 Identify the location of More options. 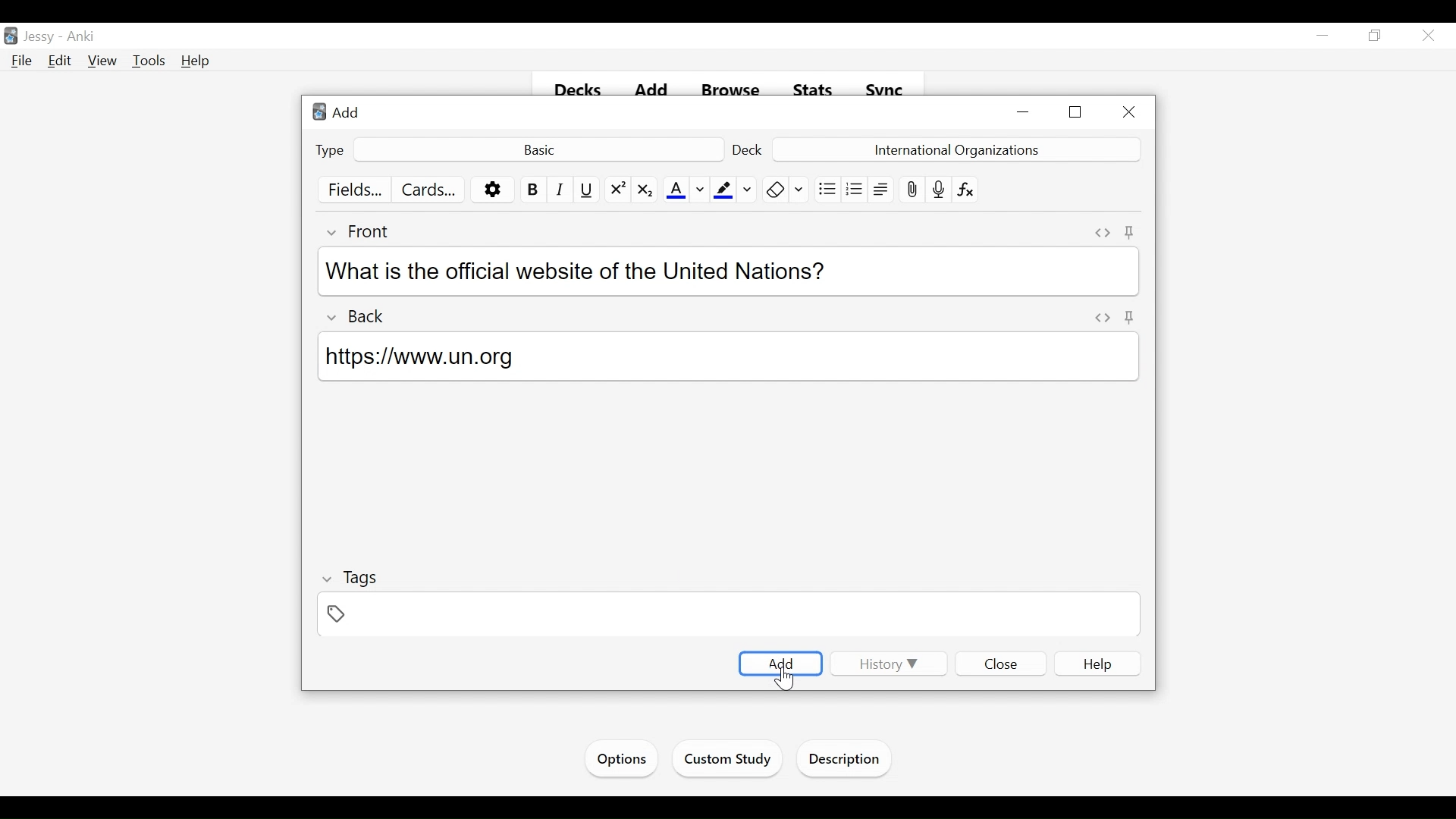
(492, 190).